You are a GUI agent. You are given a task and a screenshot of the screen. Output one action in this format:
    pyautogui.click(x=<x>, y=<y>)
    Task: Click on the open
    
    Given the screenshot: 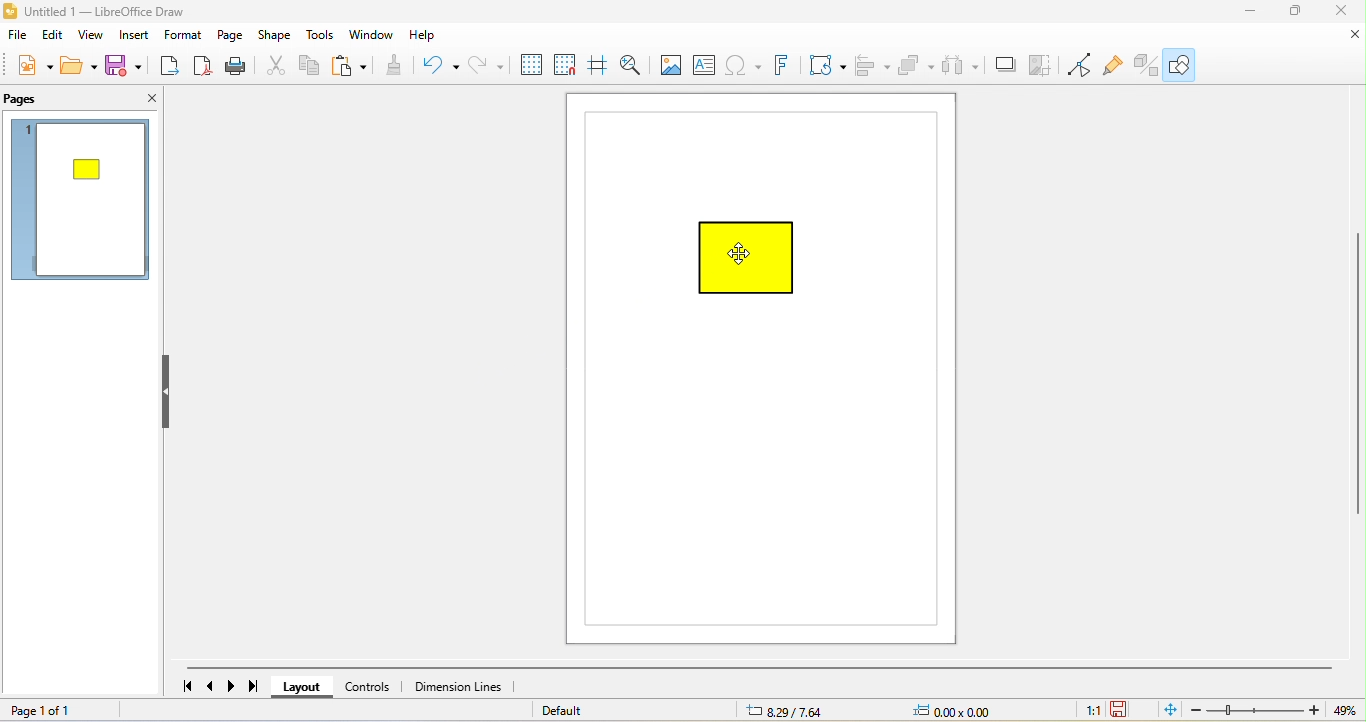 What is the action you would take?
    pyautogui.click(x=78, y=68)
    